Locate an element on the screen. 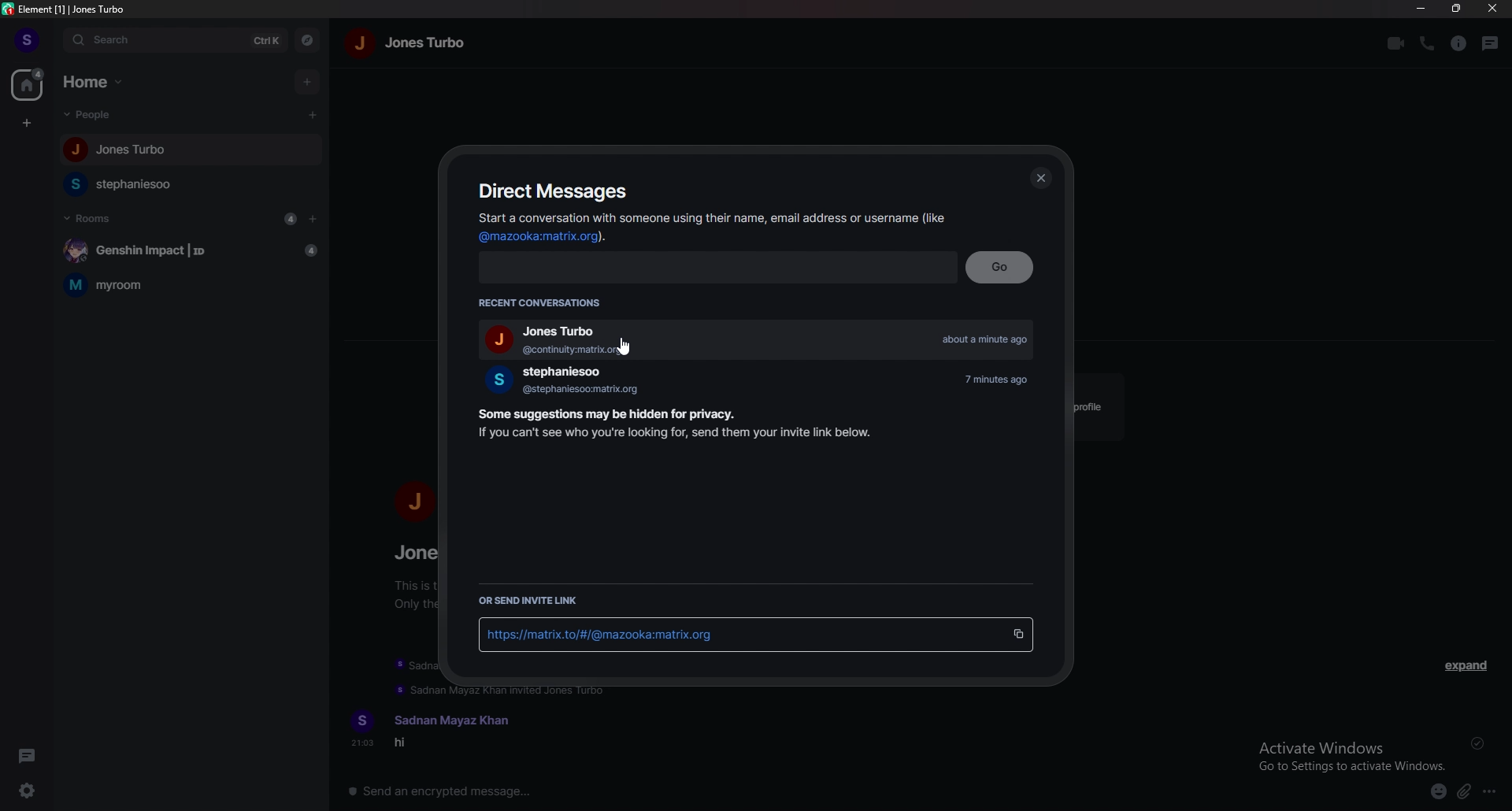 The image size is (1512, 811). hi is located at coordinates (412, 746).